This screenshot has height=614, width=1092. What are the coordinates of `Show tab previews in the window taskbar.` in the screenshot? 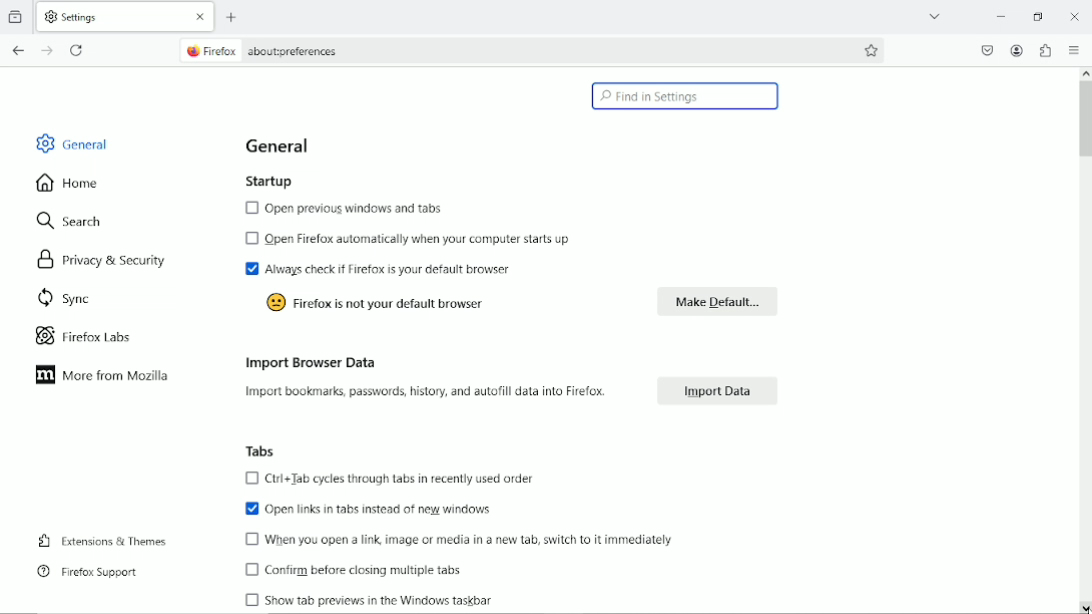 It's located at (369, 599).